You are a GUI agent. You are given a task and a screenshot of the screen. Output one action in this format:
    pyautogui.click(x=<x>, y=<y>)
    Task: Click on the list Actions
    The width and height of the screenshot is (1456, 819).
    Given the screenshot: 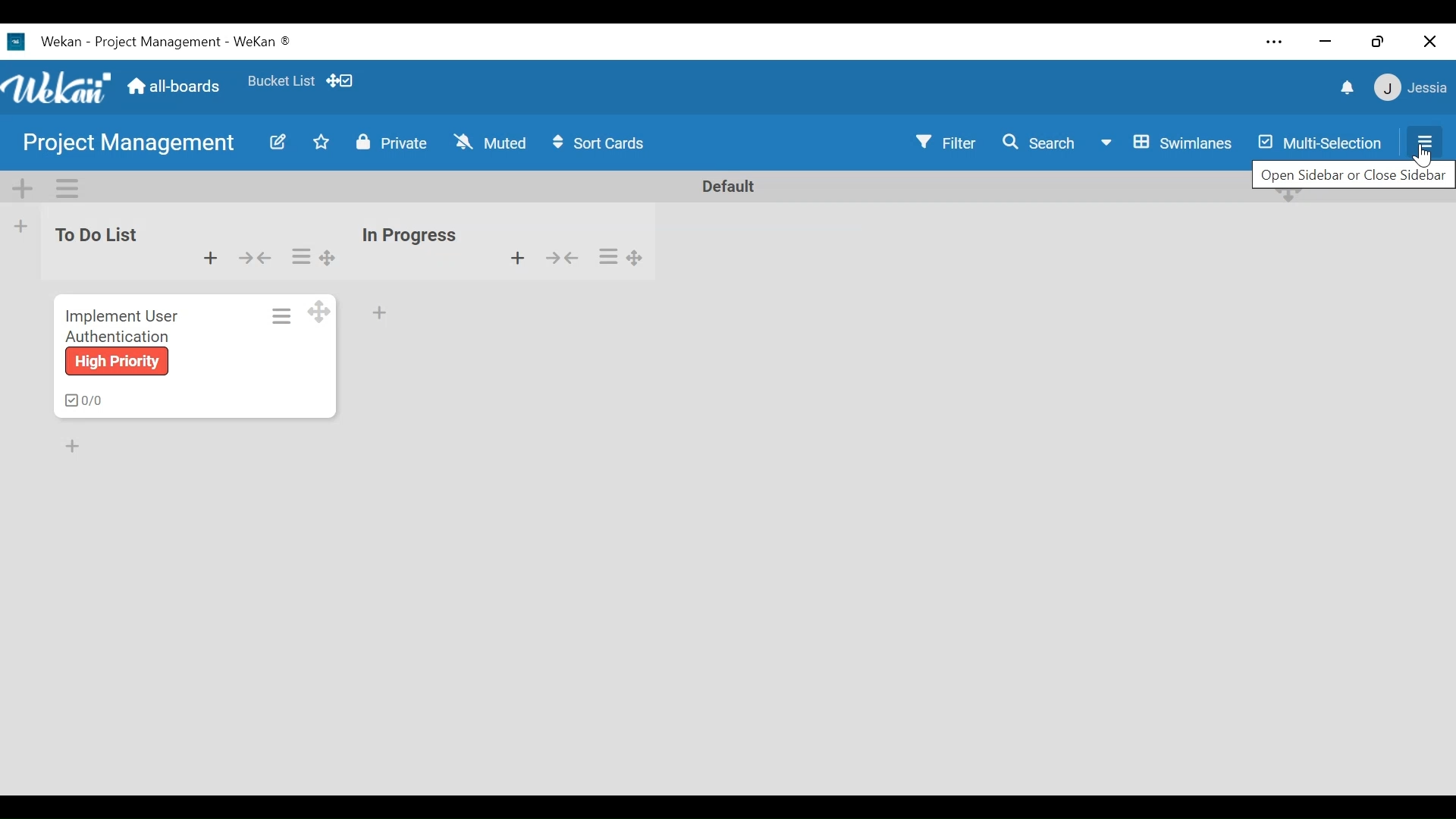 What is the action you would take?
    pyautogui.click(x=300, y=257)
    